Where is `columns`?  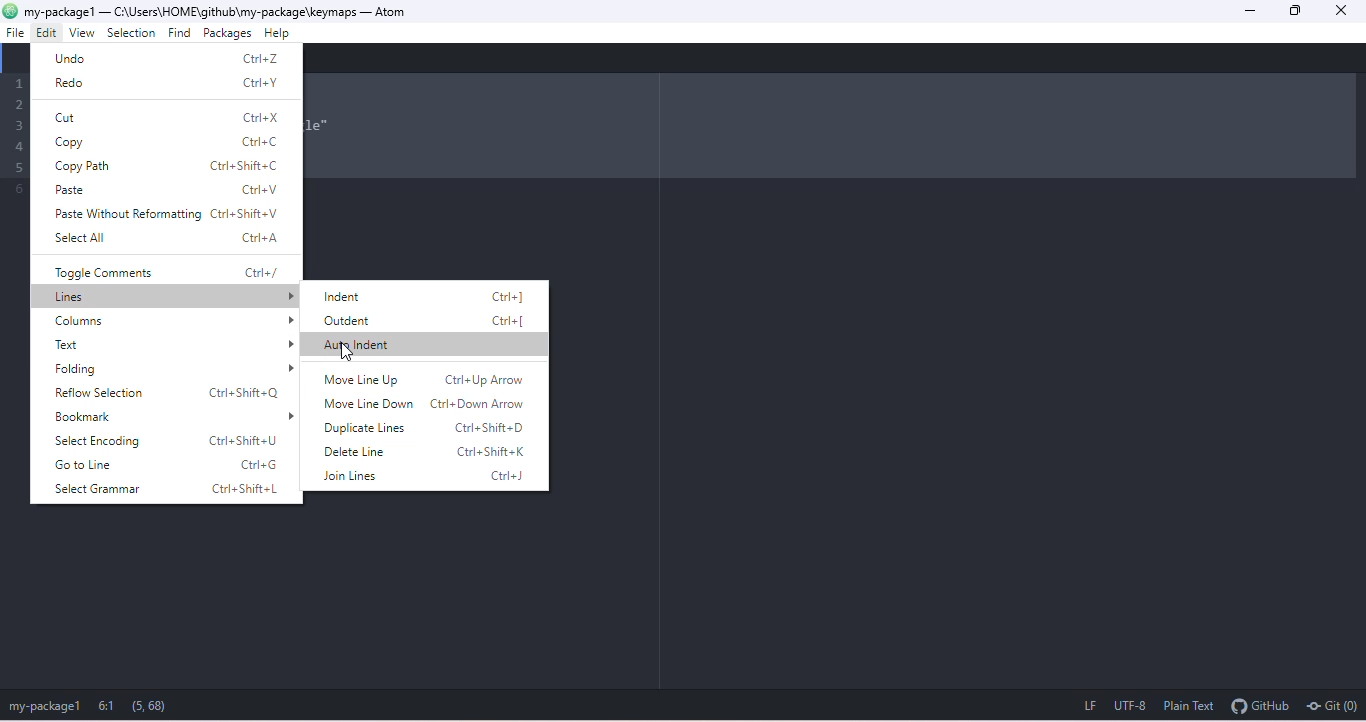
columns is located at coordinates (172, 323).